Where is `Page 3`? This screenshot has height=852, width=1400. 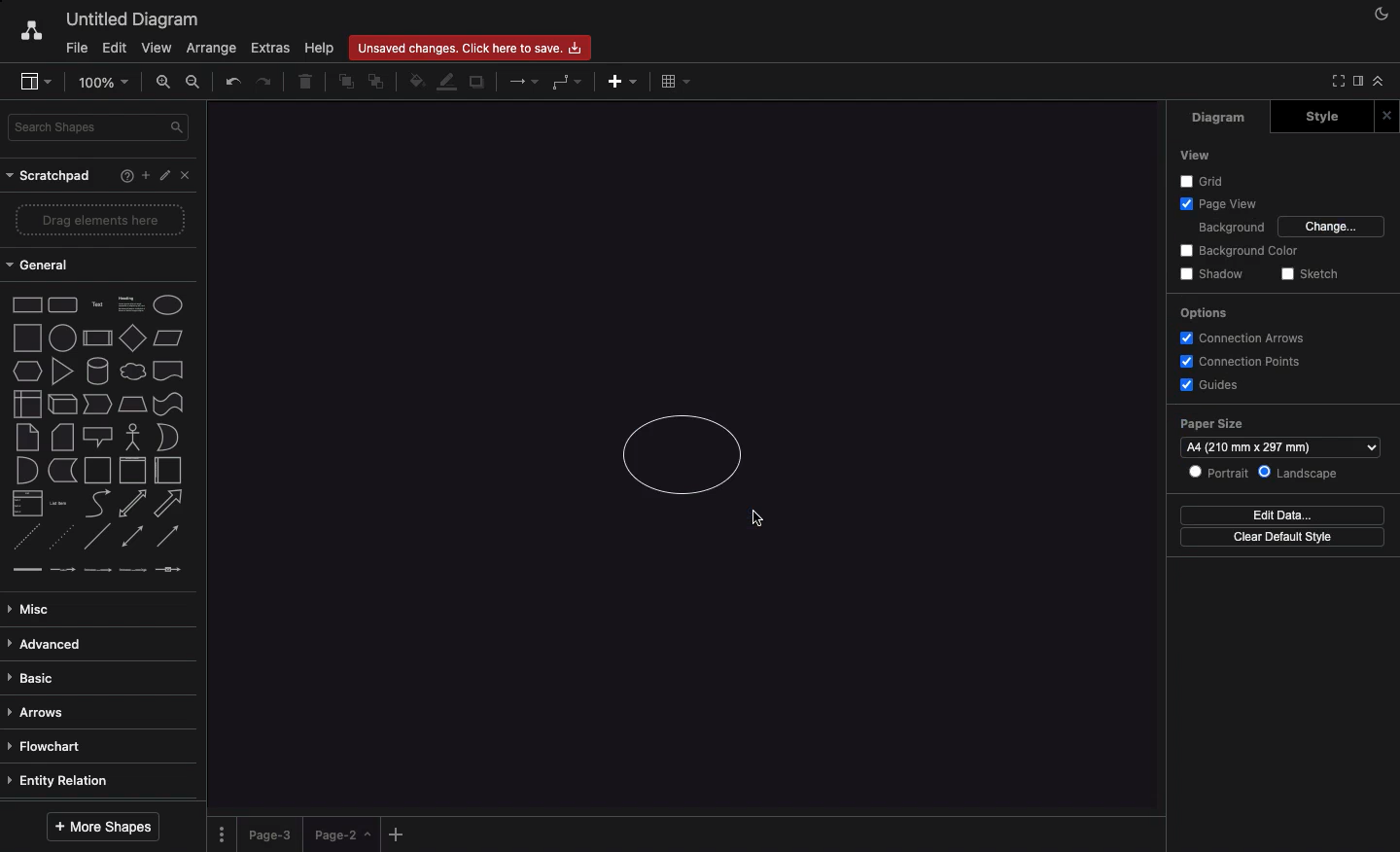 Page 3 is located at coordinates (274, 834).